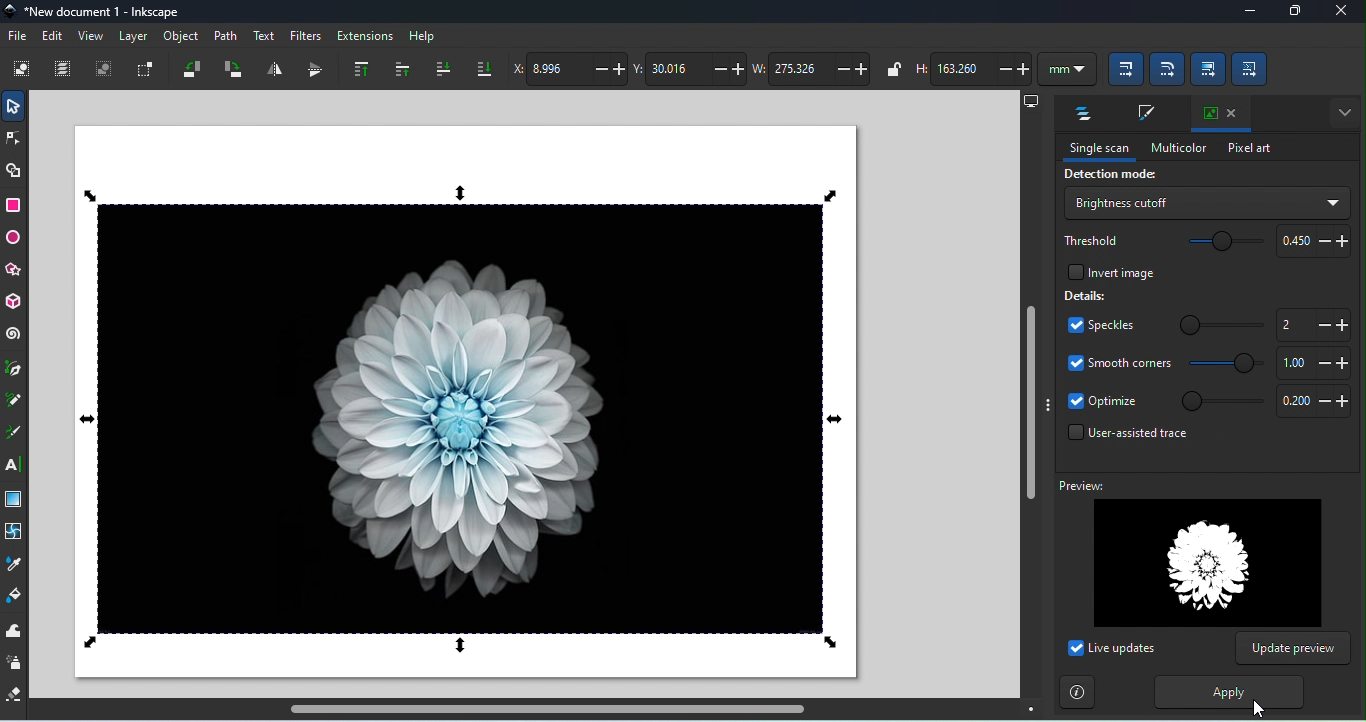 The height and width of the screenshot is (722, 1366). I want to click on Object flip horizontally, so click(274, 69).